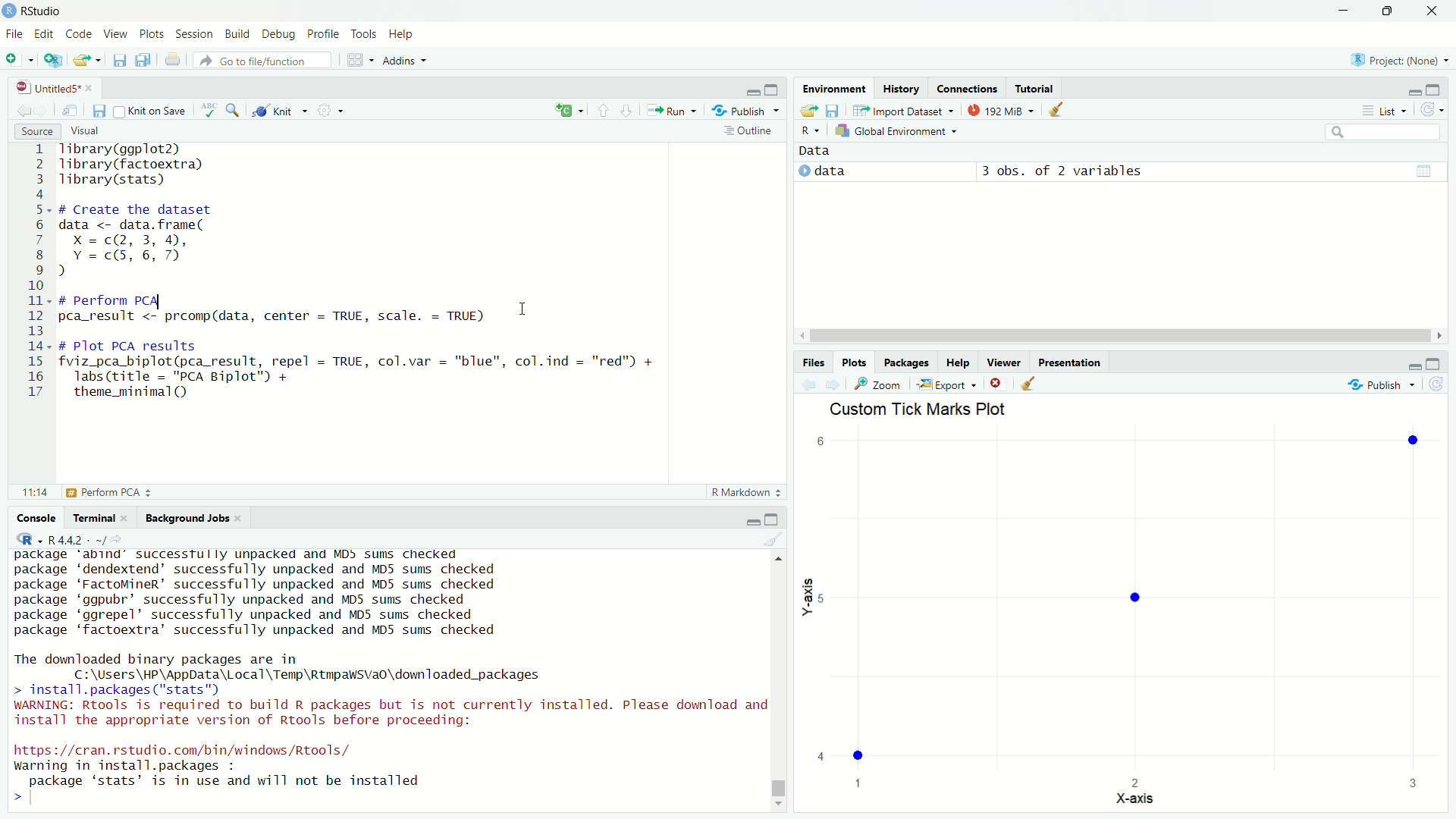 This screenshot has width=1456, height=819. Describe the element at coordinates (880, 384) in the screenshot. I see `zoom` at that location.